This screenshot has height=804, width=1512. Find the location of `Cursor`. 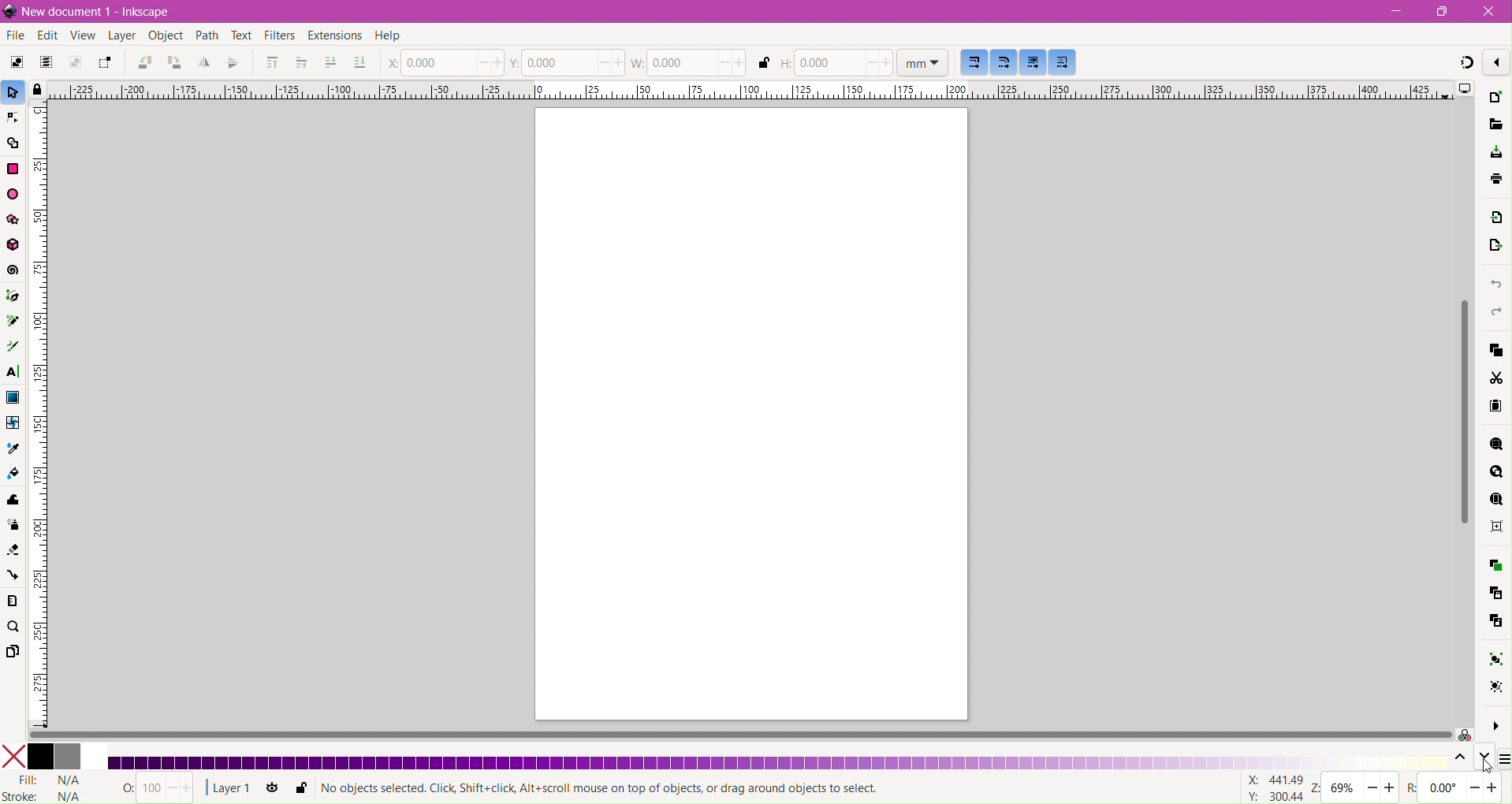

Cursor is located at coordinates (1486, 765).